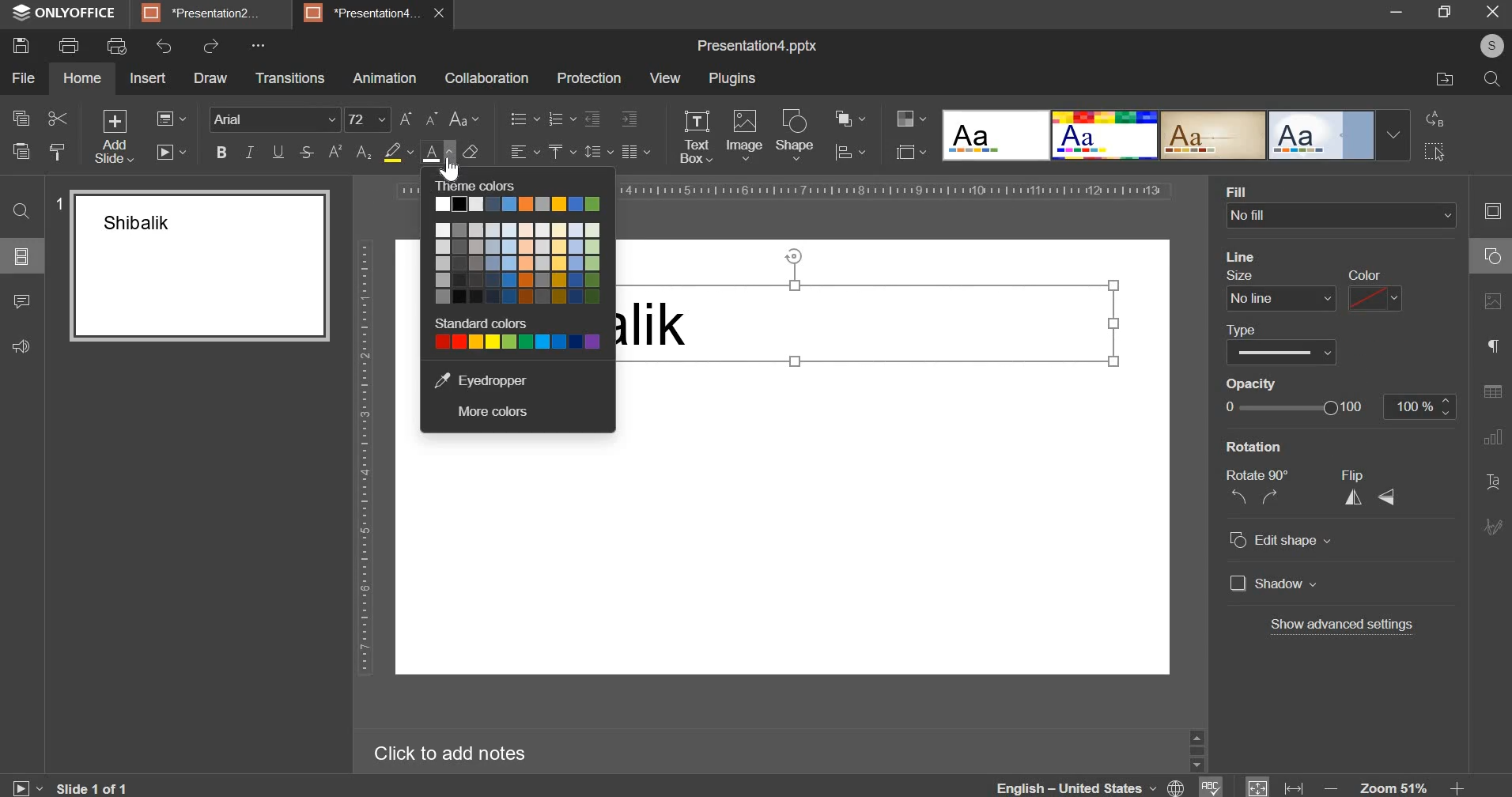 The height and width of the screenshot is (797, 1512). What do you see at coordinates (561, 152) in the screenshot?
I see `vertical alignment` at bounding box center [561, 152].